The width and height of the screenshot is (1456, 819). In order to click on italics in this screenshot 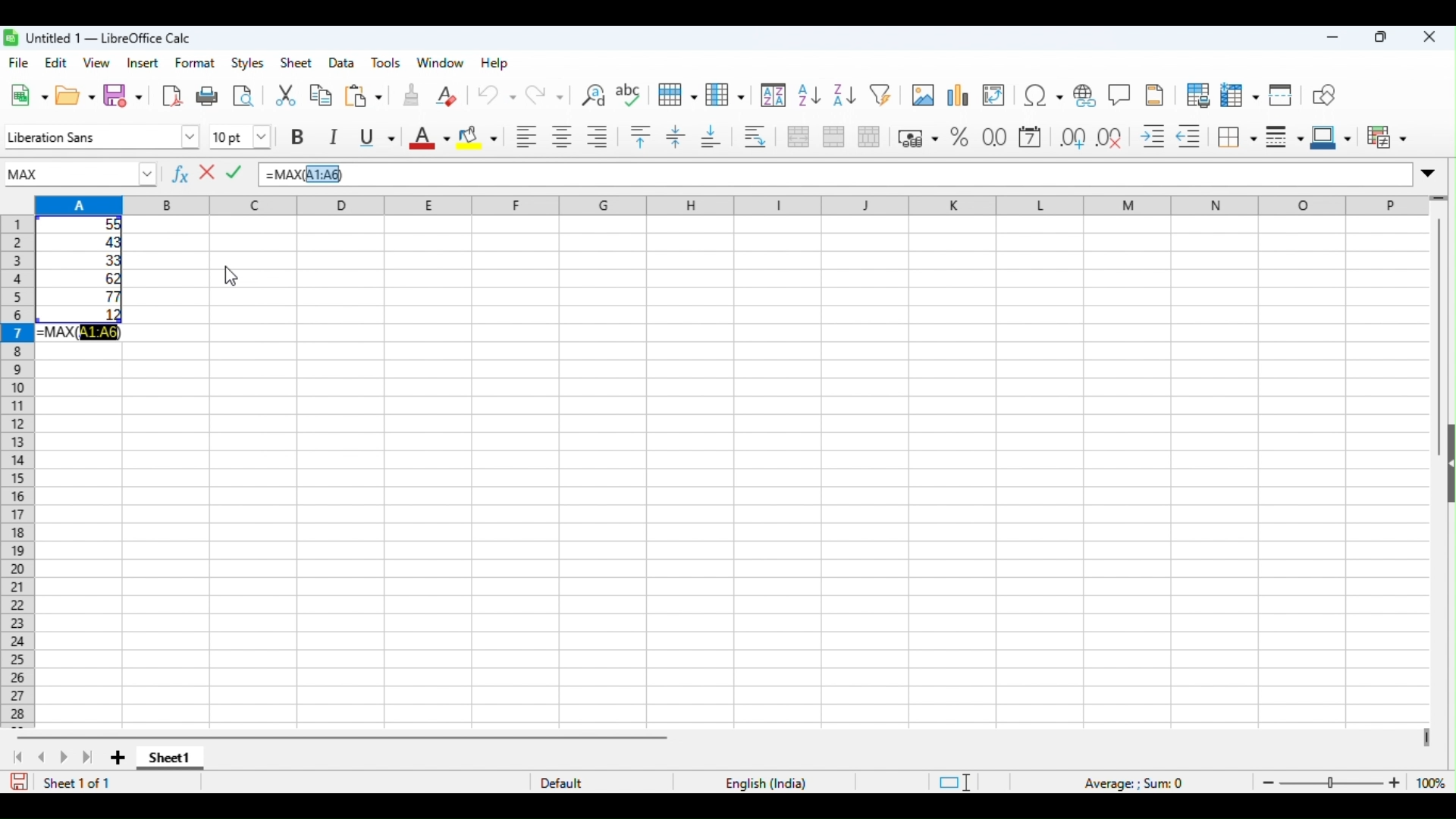, I will do `click(337, 139)`.